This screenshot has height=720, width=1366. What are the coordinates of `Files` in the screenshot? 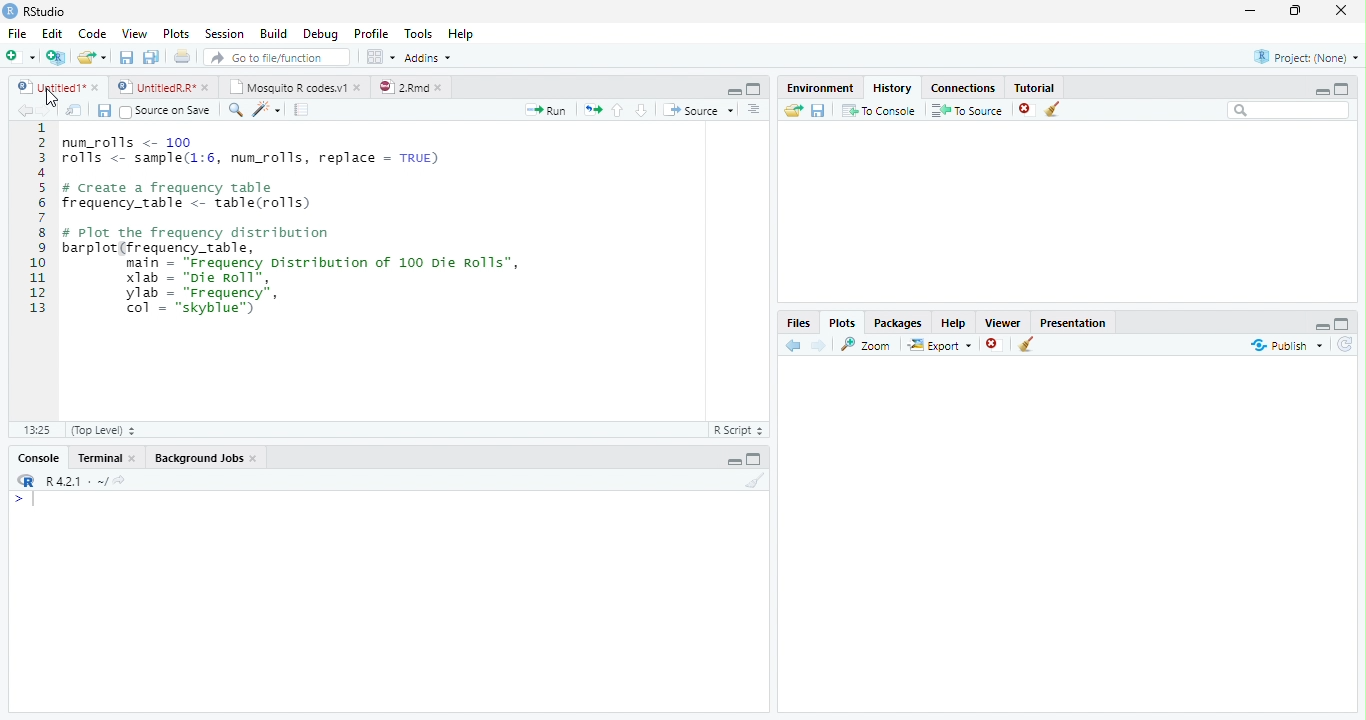 It's located at (798, 321).